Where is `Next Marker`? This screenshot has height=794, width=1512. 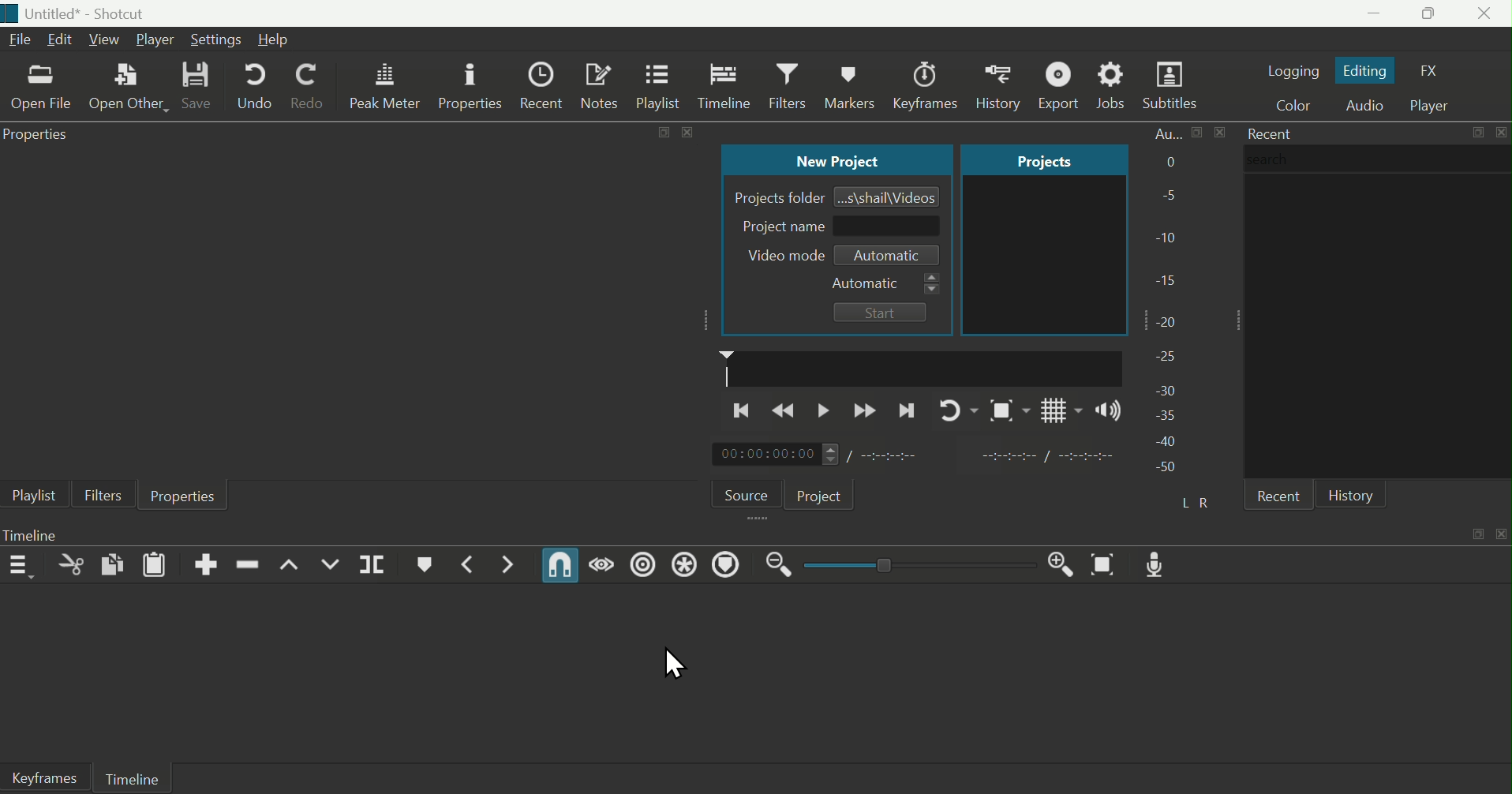 Next Marker is located at coordinates (508, 565).